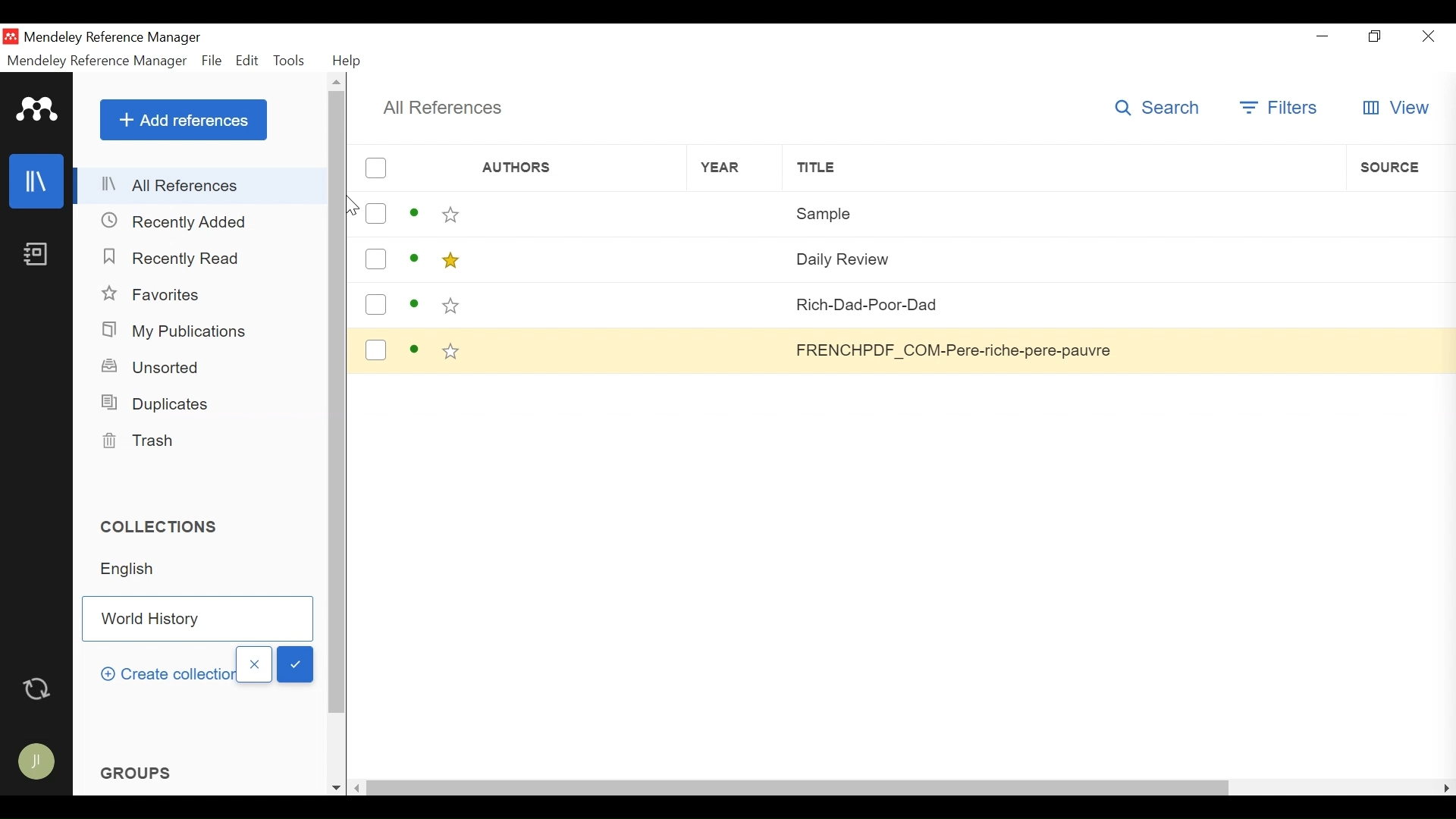 Image resolution: width=1456 pixels, height=819 pixels. What do you see at coordinates (139, 770) in the screenshot?
I see `Groups` at bounding box center [139, 770].